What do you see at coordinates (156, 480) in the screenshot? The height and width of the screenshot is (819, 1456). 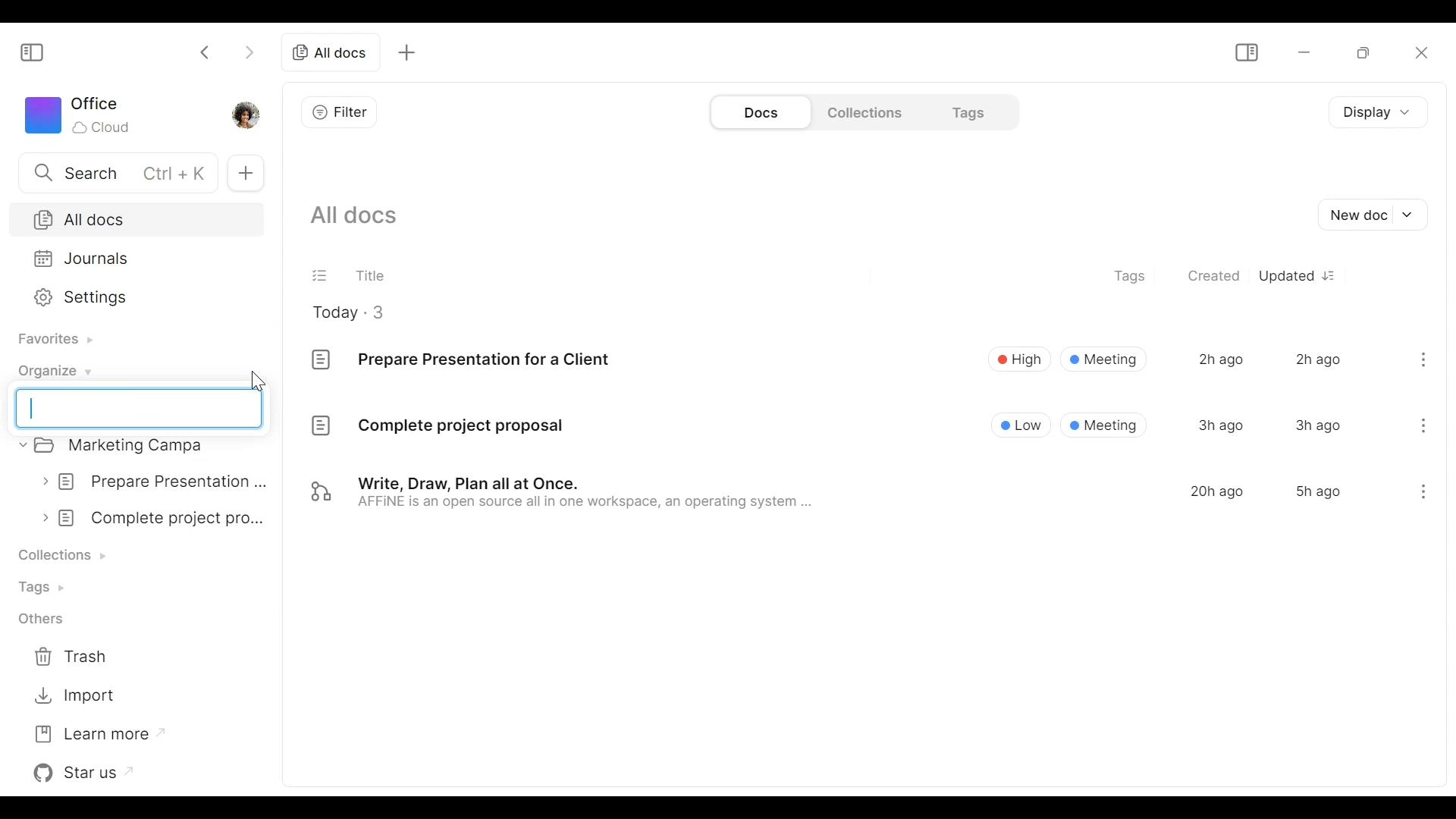 I see `prepare presentation` at bounding box center [156, 480].